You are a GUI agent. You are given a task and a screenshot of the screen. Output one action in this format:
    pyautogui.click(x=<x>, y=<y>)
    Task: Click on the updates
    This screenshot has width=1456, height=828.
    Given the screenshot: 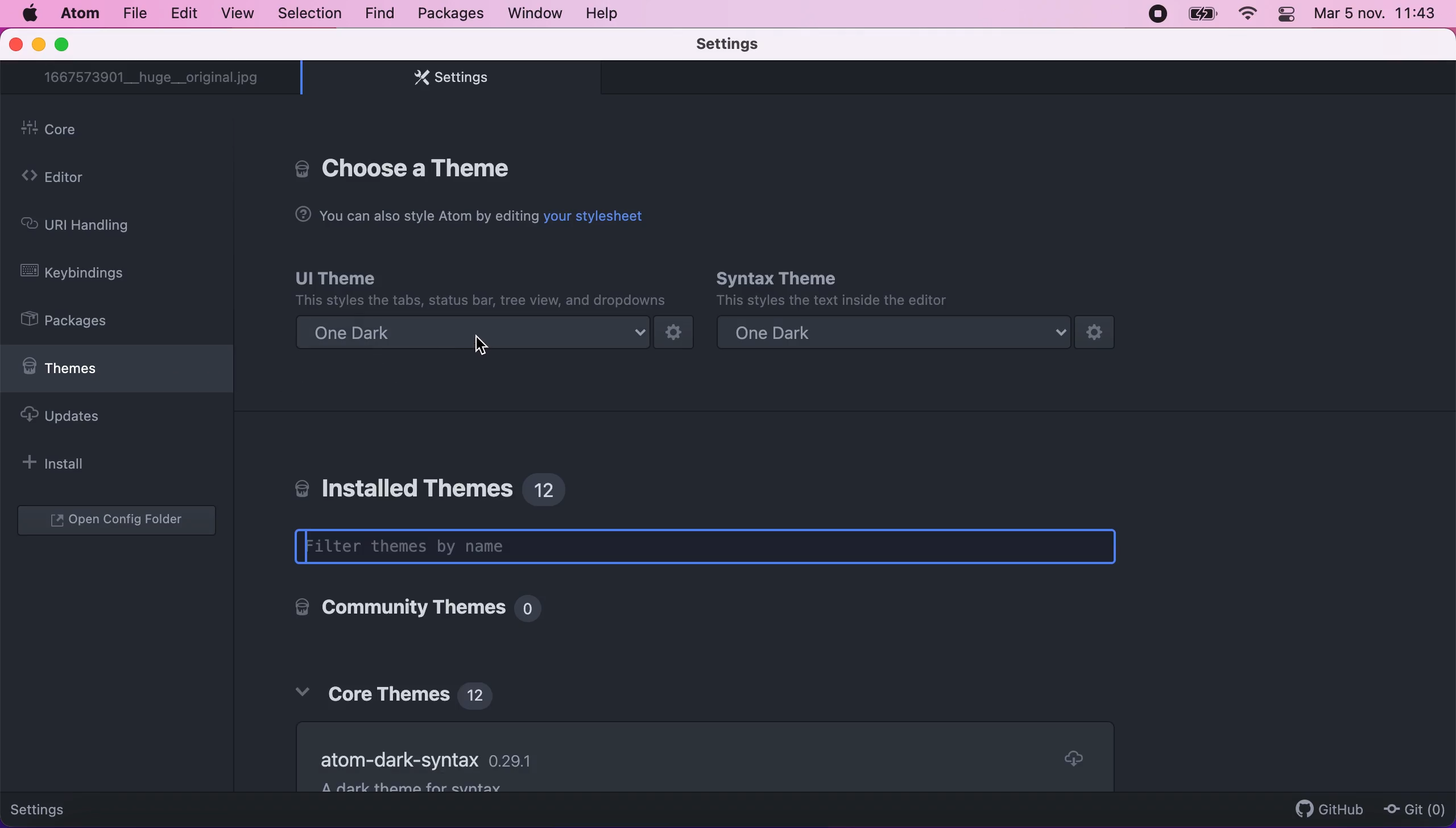 What is the action you would take?
    pyautogui.click(x=97, y=421)
    